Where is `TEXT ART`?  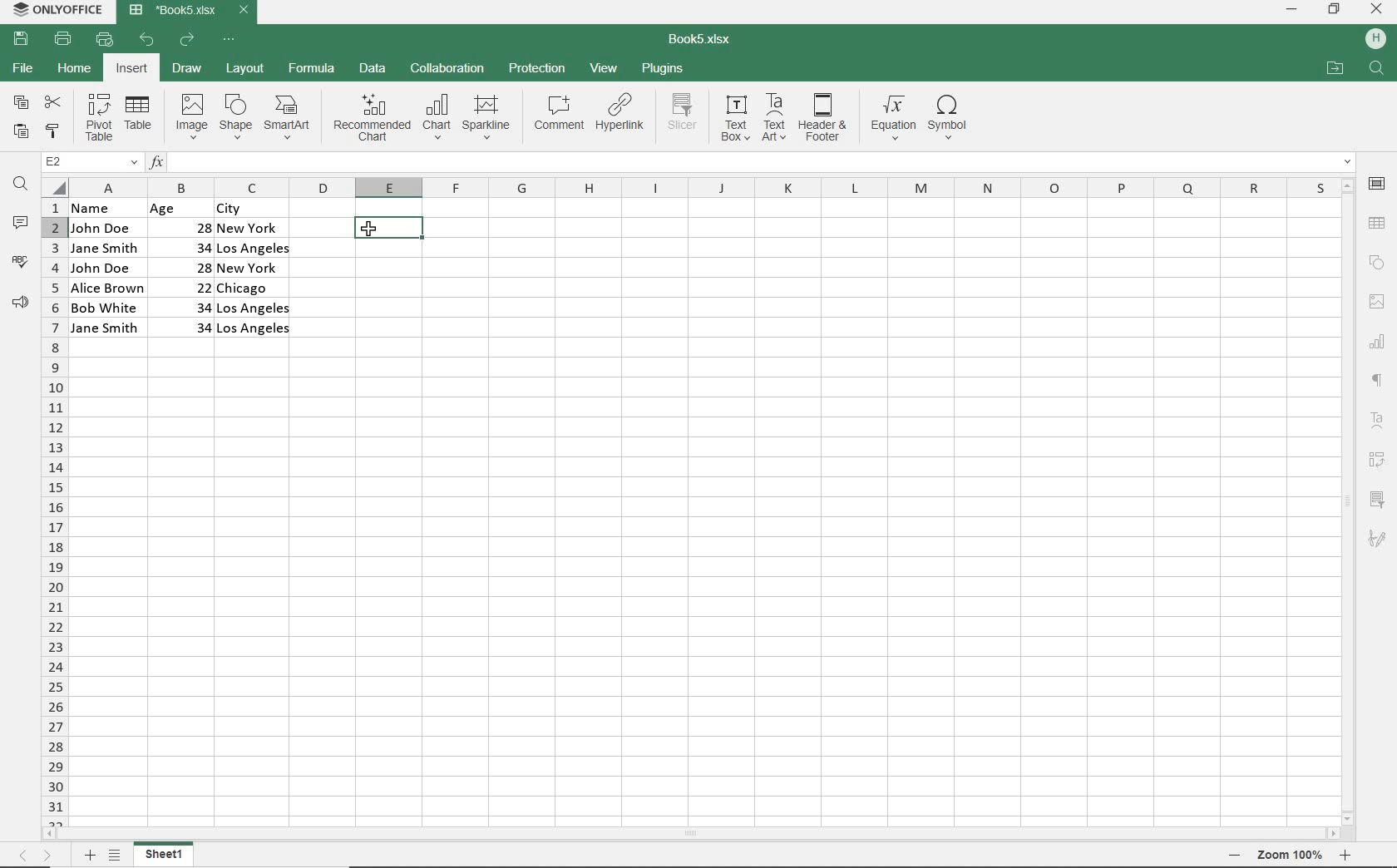
TEXT ART is located at coordinates (774, 118).